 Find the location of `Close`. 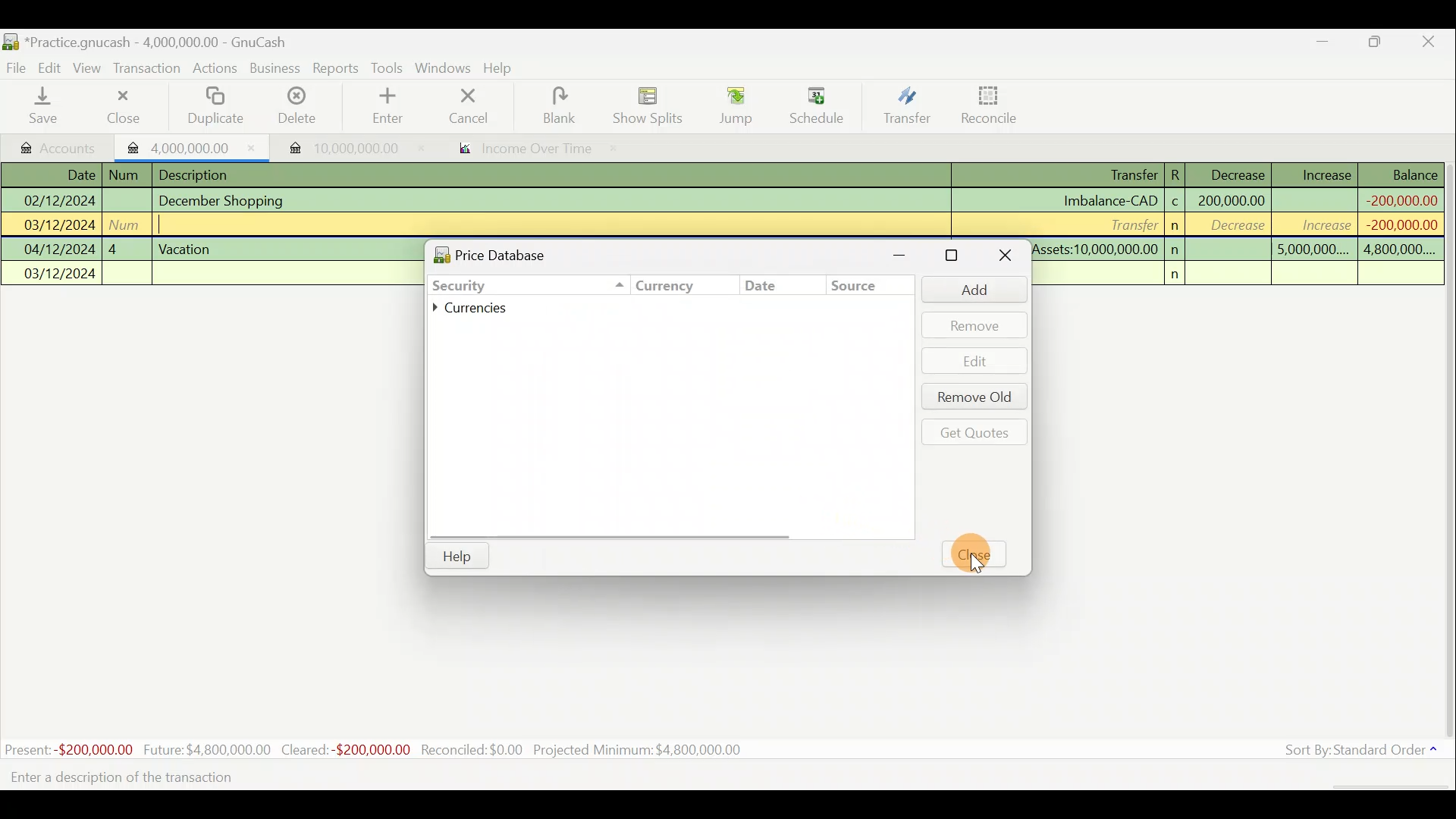

Close is located at coordinates (121, 106).